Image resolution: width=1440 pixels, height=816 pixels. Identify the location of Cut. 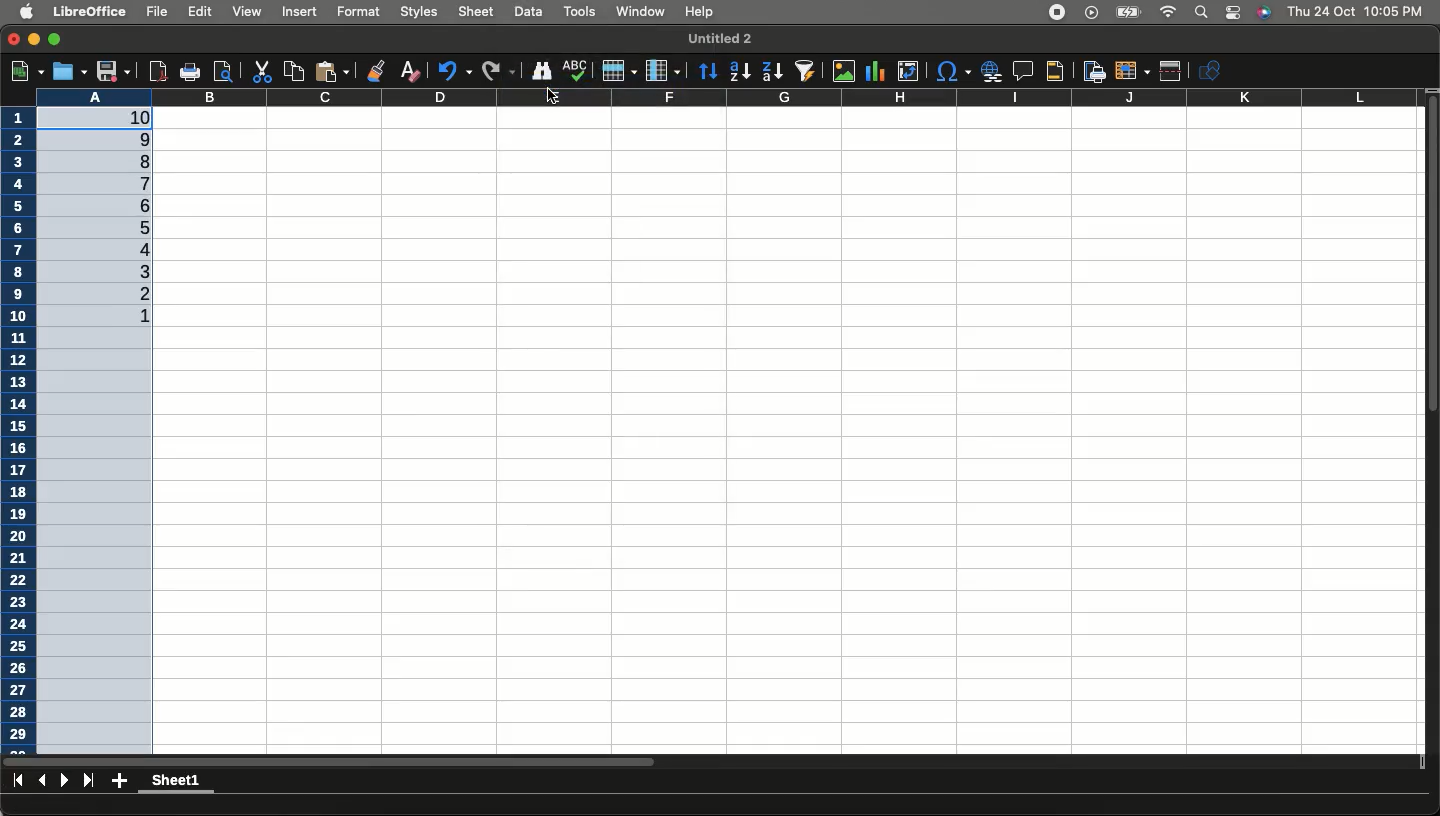
(260, 71).